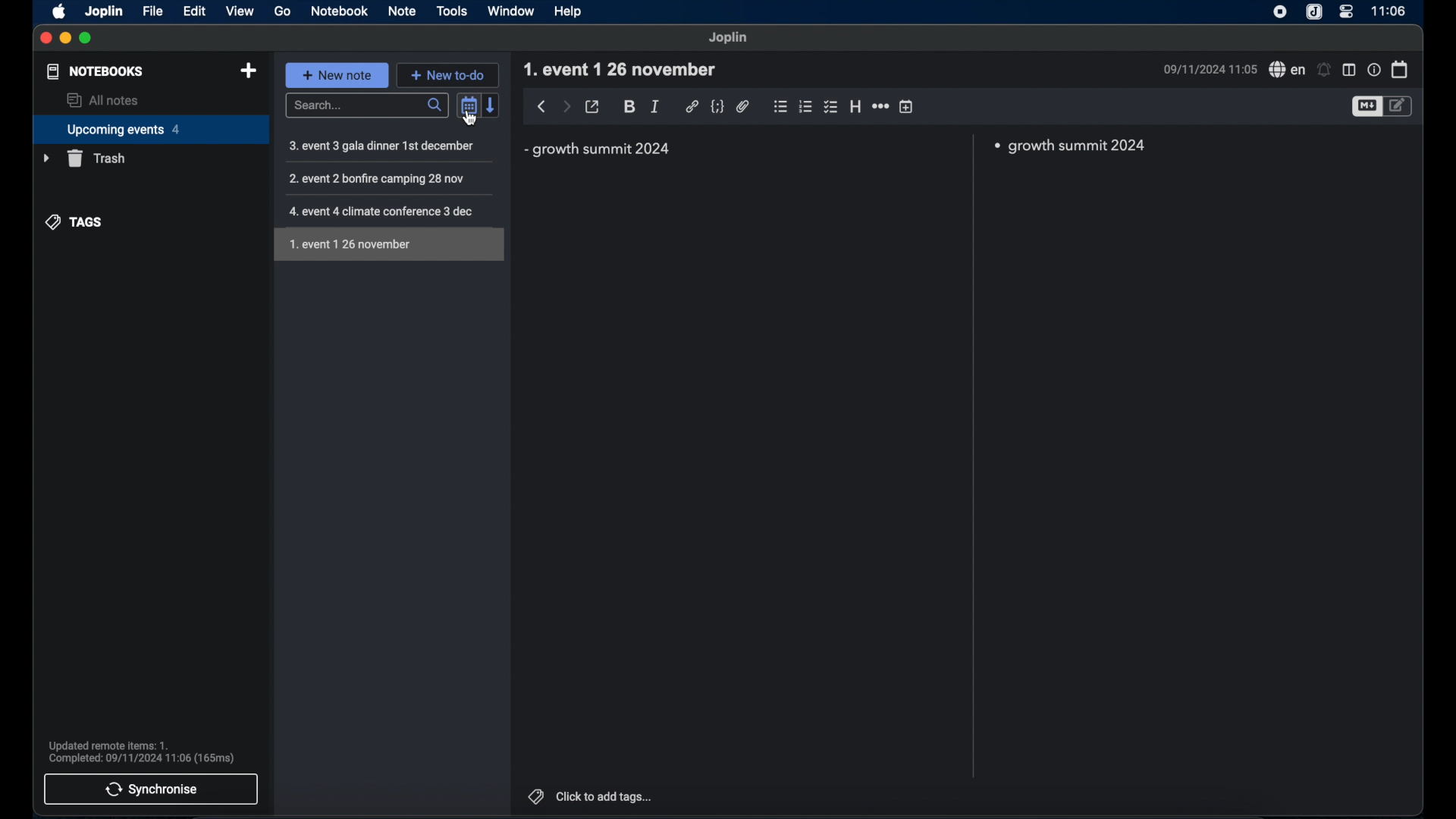 The width and height of the screenshot is (1456, 819). What do you see at coordinates (147, 748) in the screenshot?
I see `Updated remote items: 1.
Completed: 09/11/2024 11:06 (165ms)` at bounding box center [147, 748].